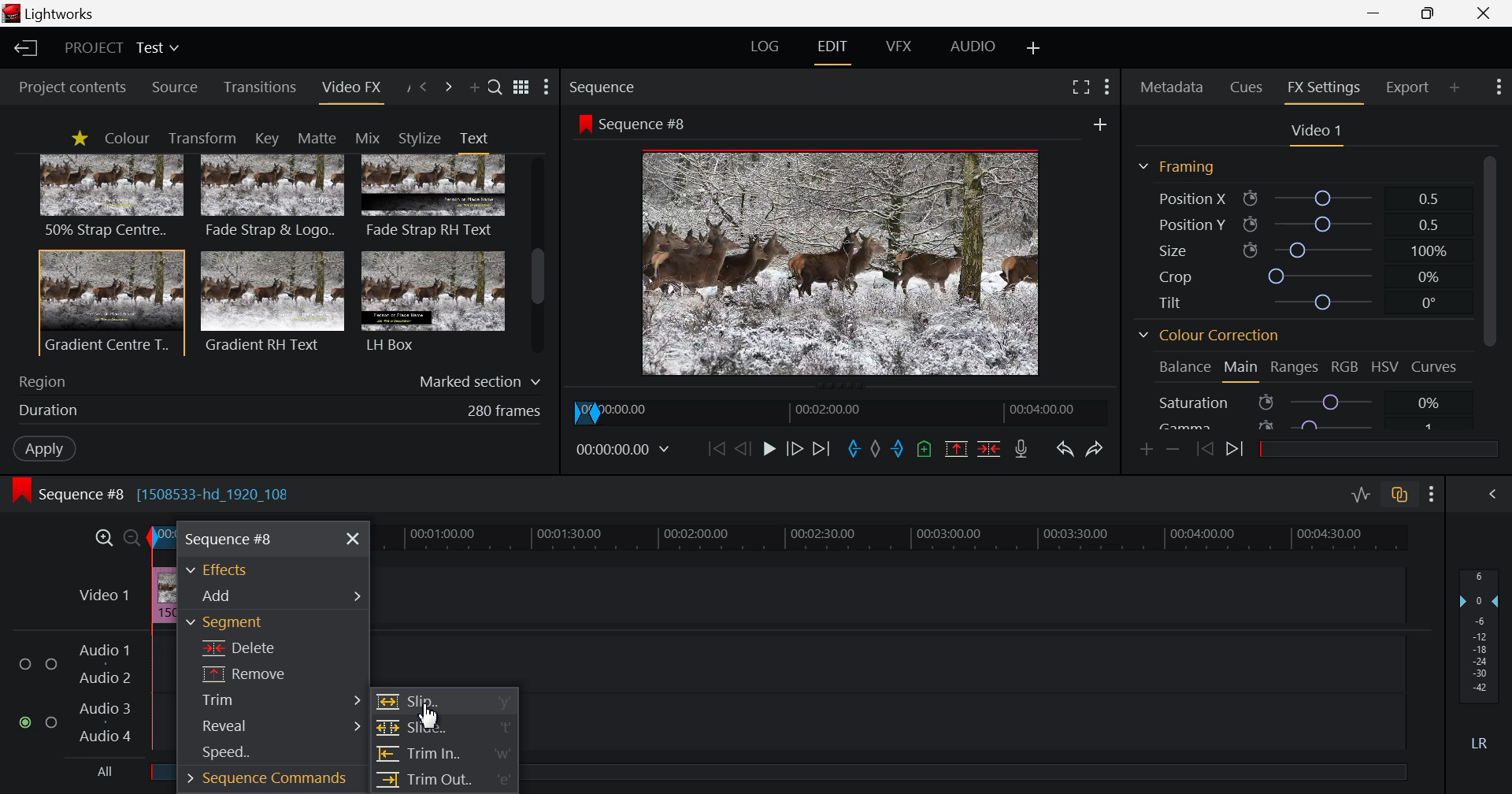  What do you see at coordinates (714, 451) in the screenshot?
I see `To start` at bounding box center [714, 451].